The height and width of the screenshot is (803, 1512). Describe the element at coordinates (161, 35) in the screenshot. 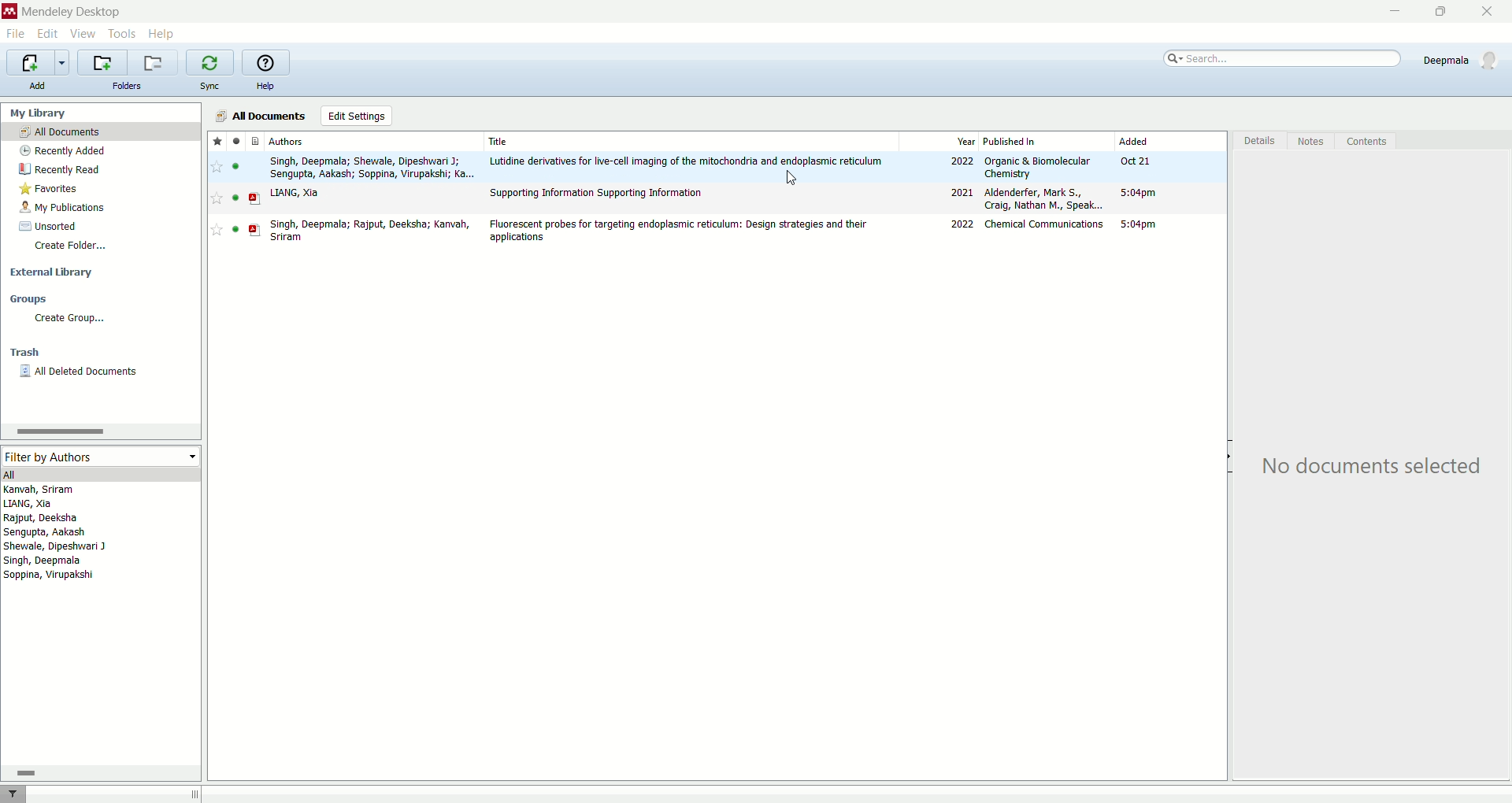

I see `help` at that location.